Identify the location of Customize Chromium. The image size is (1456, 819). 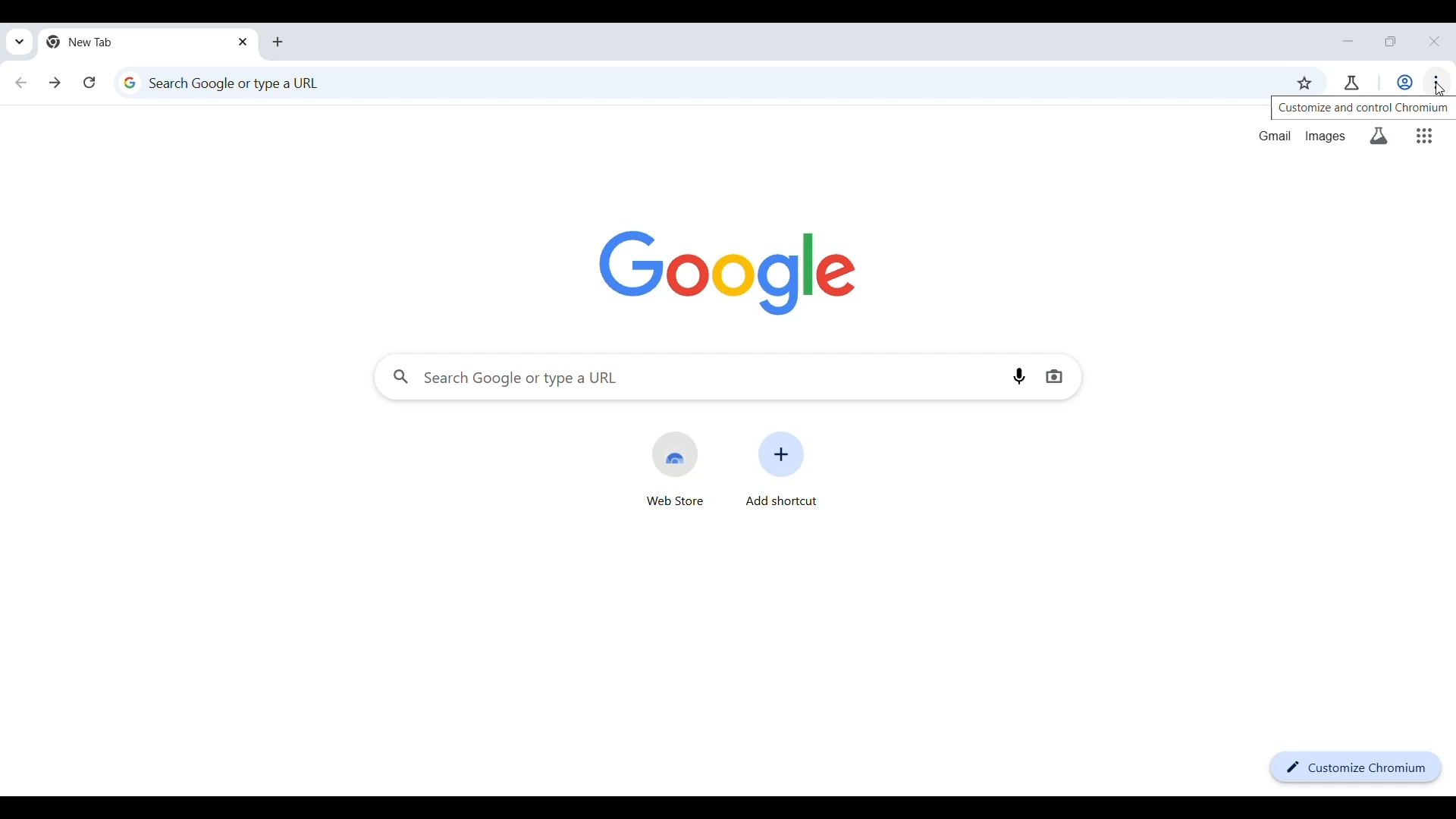
(1356, 767).